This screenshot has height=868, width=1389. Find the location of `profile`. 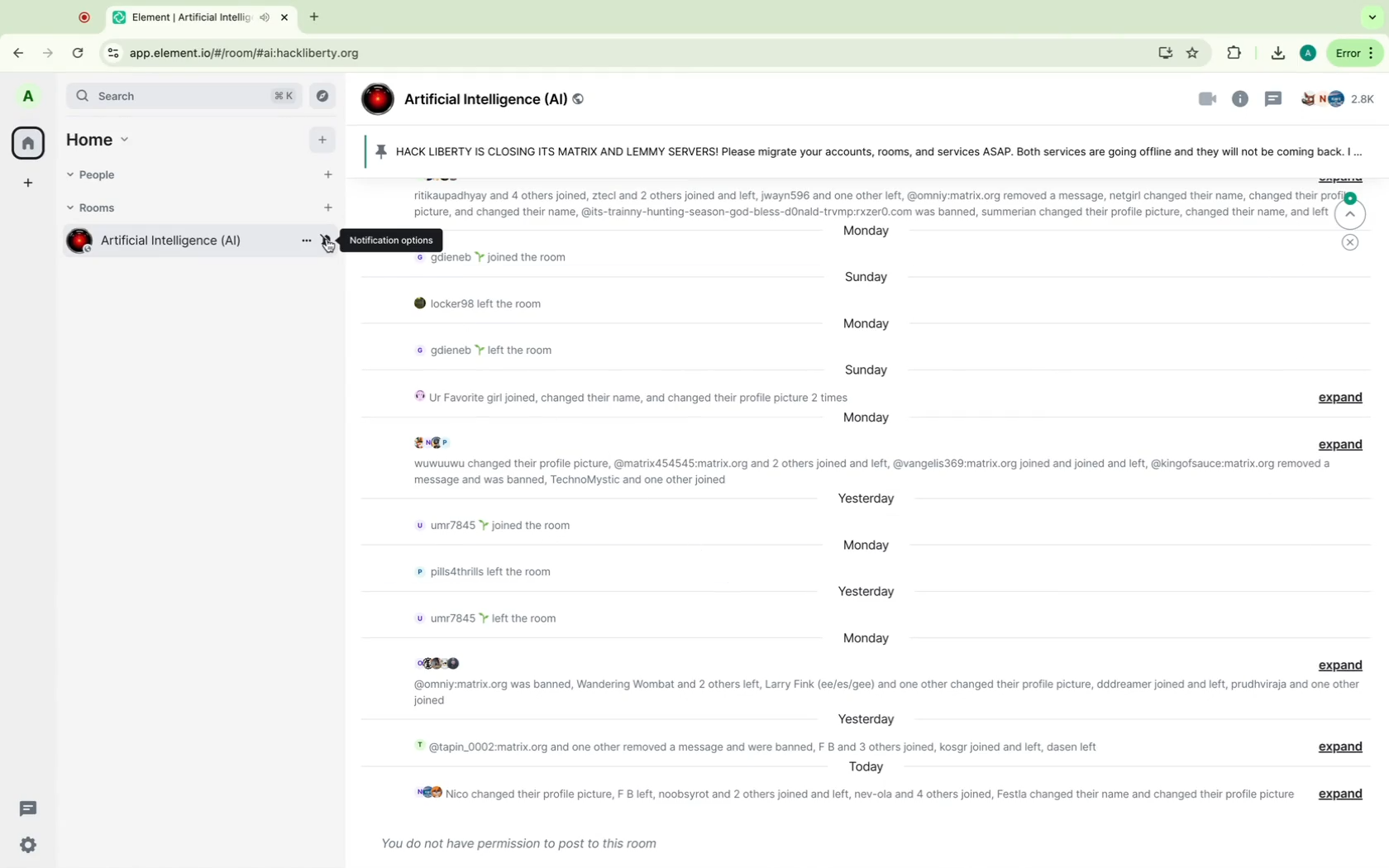

profile is located at coordinates (30, 96).